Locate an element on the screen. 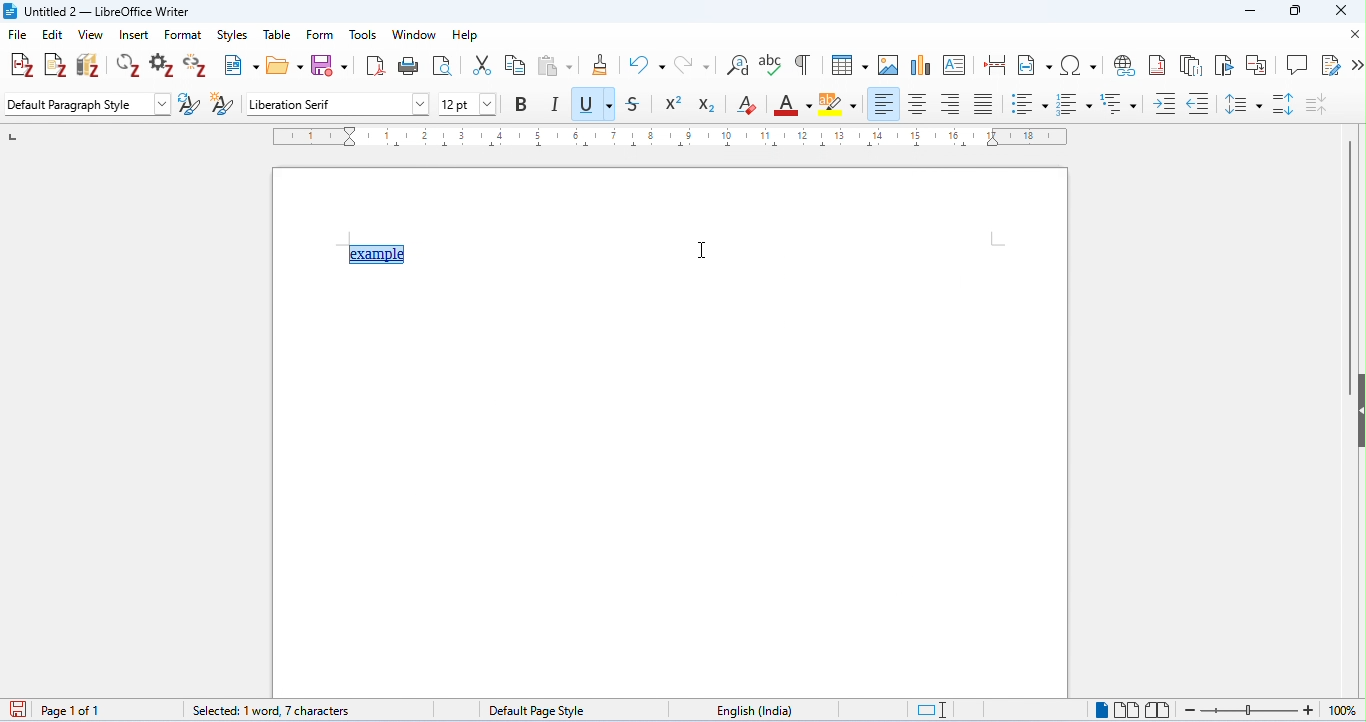 The height and width of the screenshot is (722, 1366). page 1 of 1 is located at coordinates (73, 711).